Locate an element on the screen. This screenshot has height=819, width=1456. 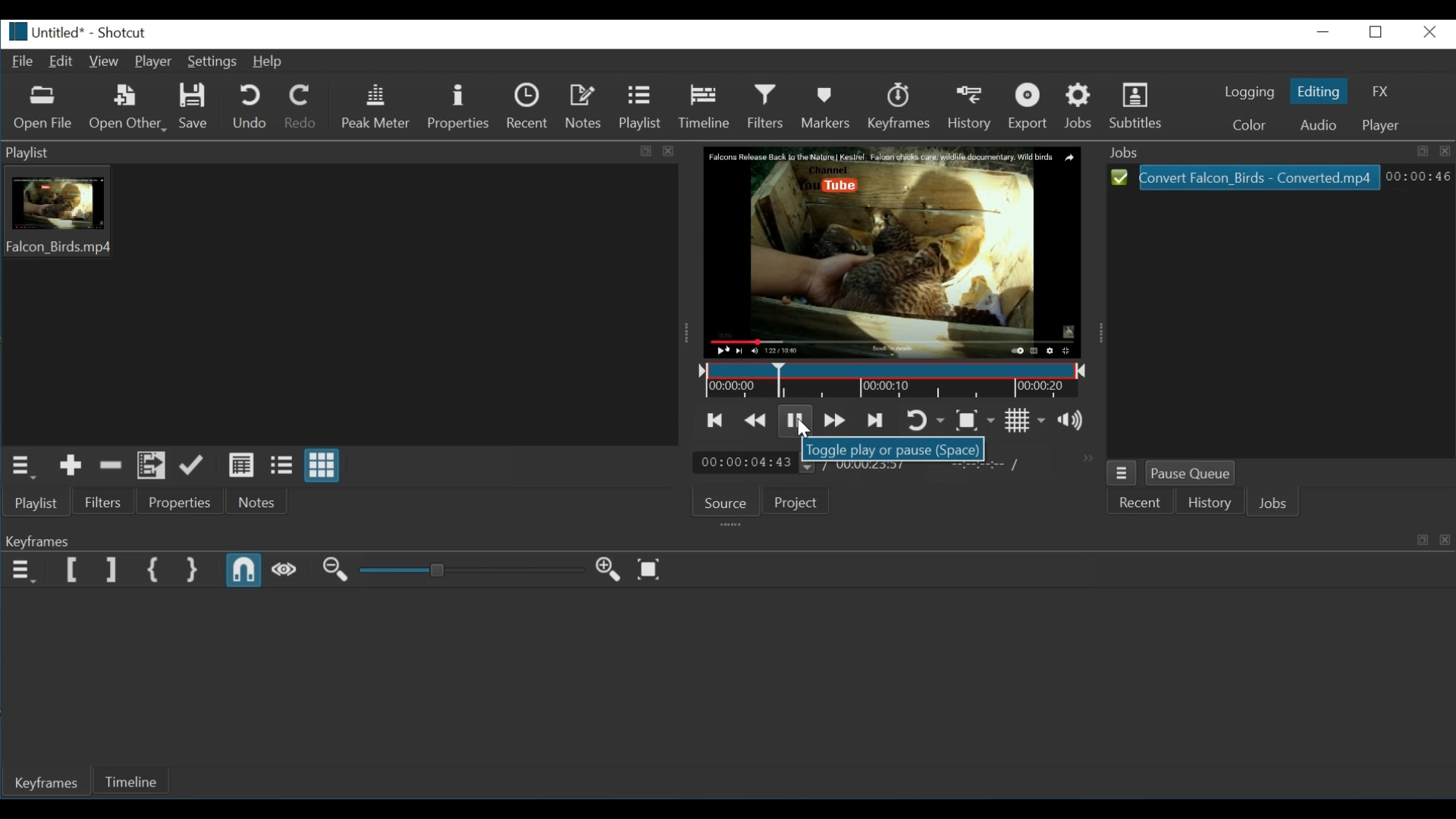
Player is located at coordinates (154, 61).